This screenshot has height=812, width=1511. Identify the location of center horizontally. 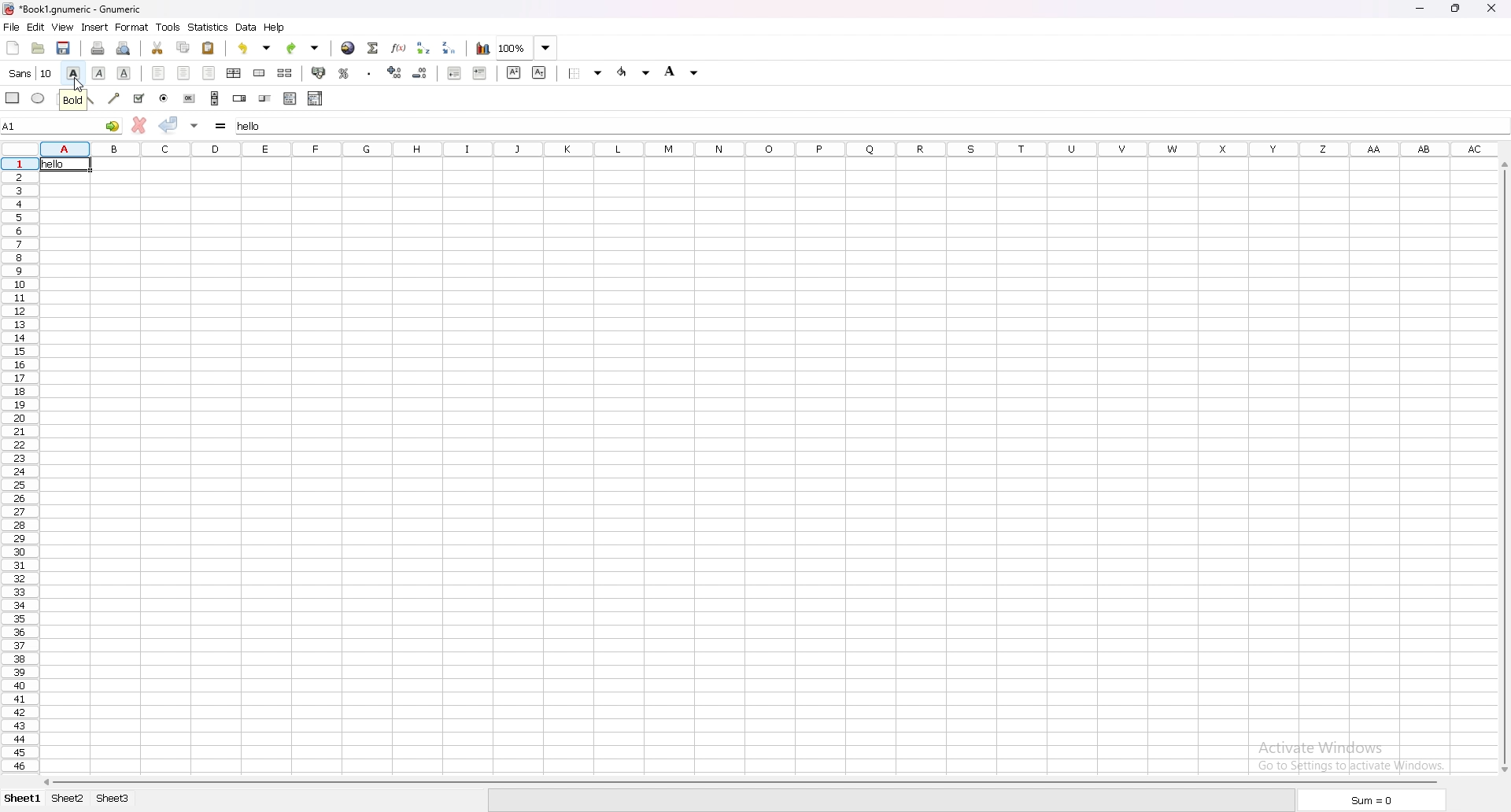
(235, 72).